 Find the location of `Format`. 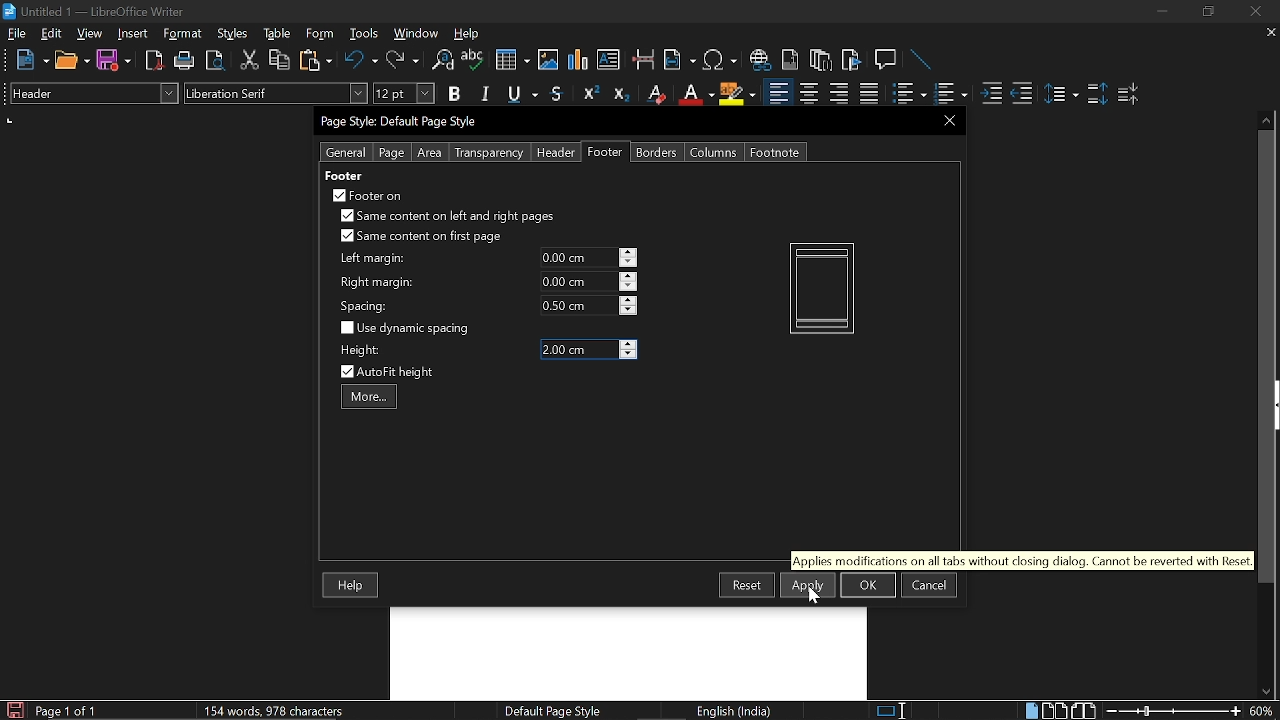

Format is located at coordinates (185, 34).